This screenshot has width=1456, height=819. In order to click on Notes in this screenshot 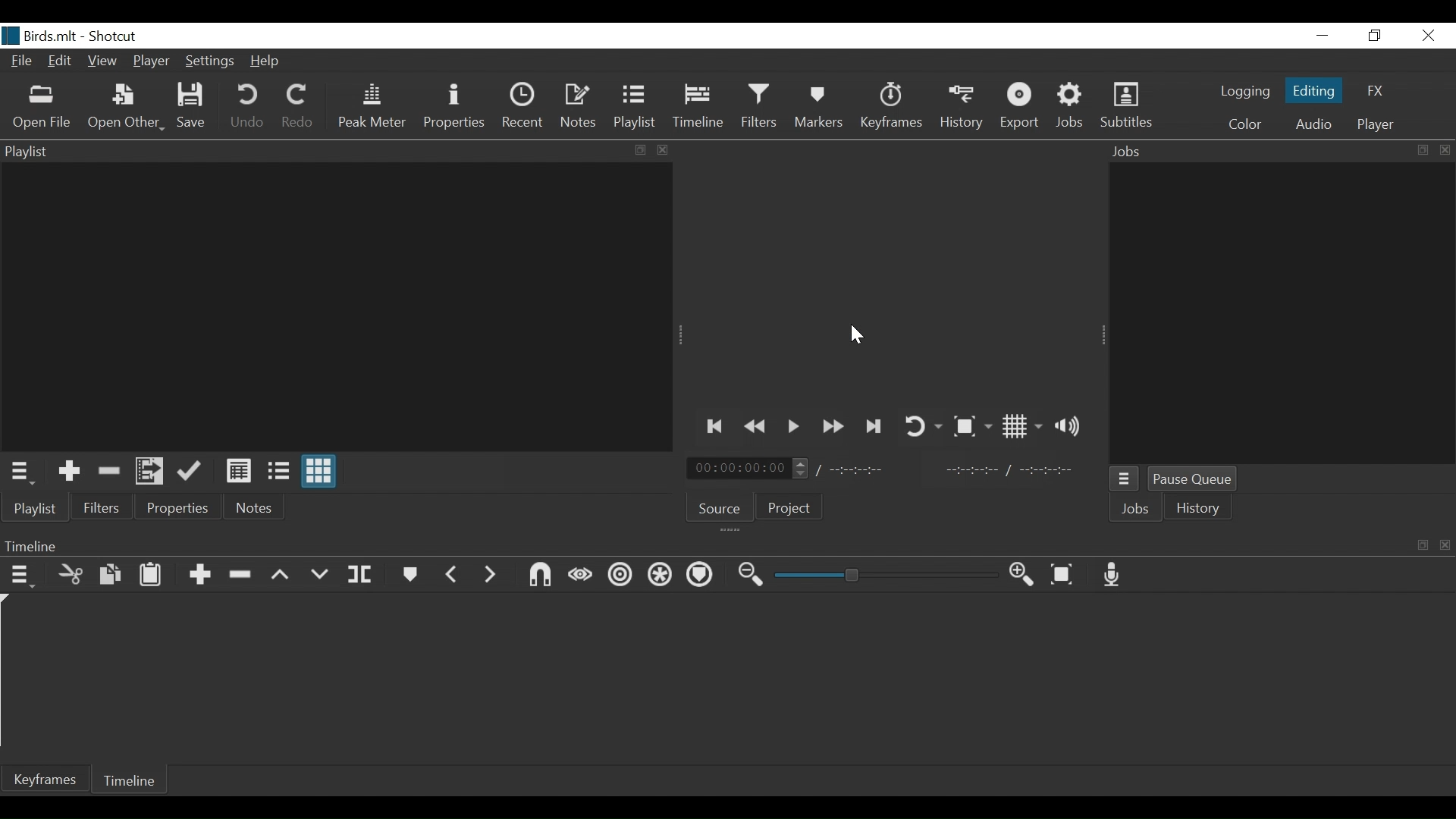, I will do `click(579, 104)`.